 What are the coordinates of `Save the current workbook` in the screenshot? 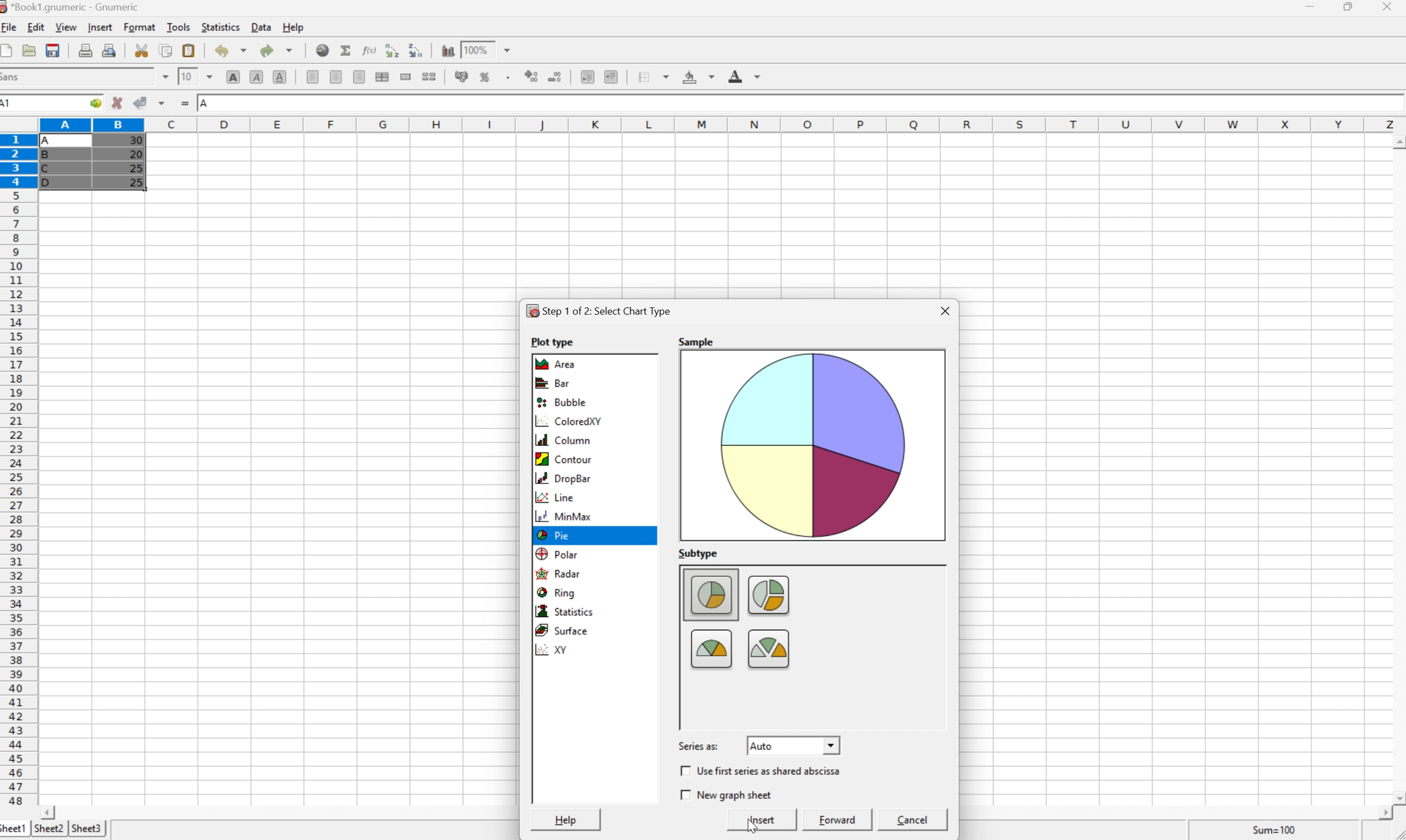 It's located at (52, 50).